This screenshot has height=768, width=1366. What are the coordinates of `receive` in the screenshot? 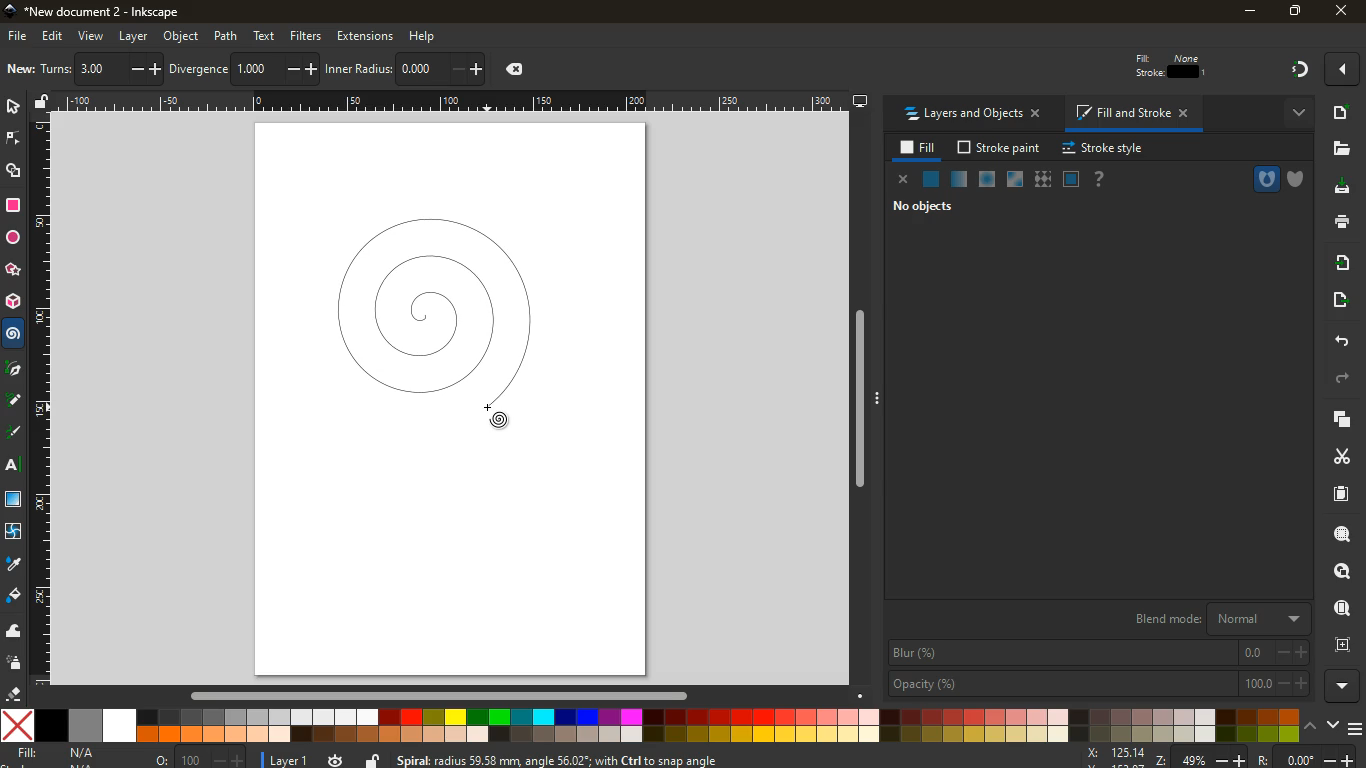 It's located at (1340, 264).